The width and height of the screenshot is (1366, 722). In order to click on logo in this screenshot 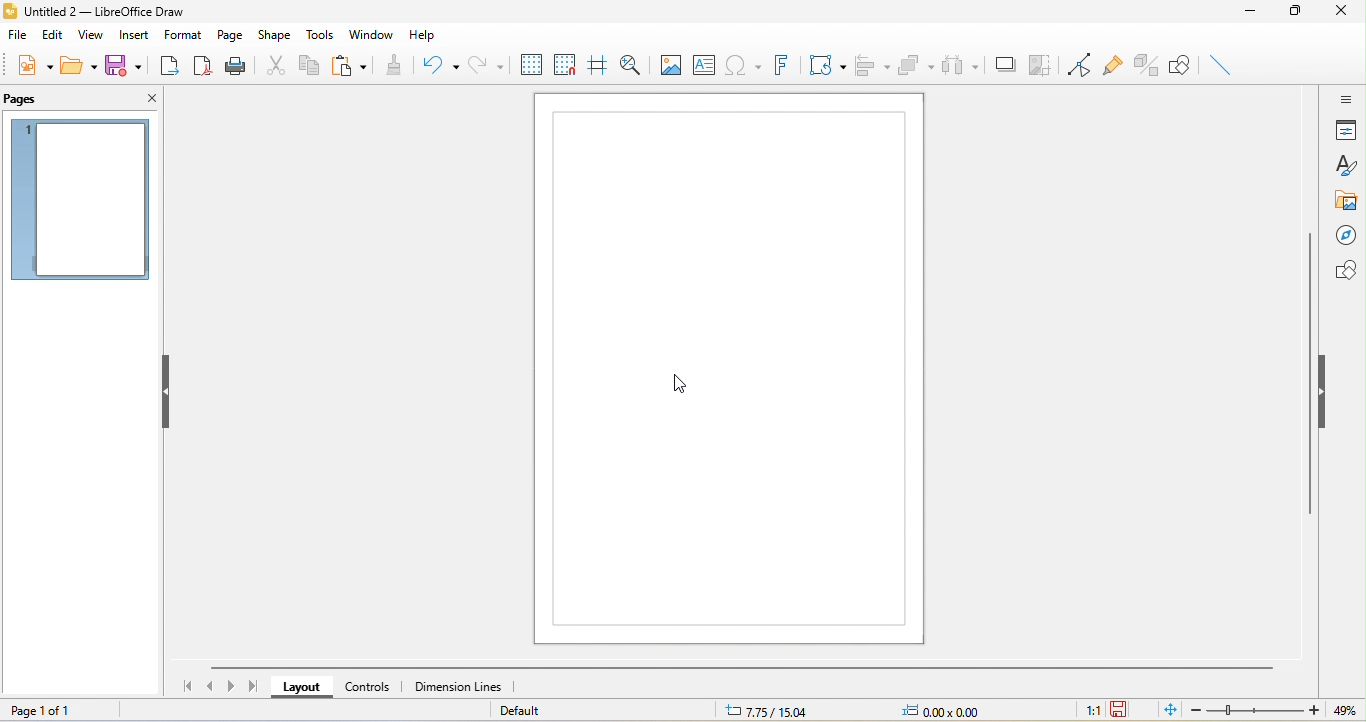, I will do `click(10, 9)`.